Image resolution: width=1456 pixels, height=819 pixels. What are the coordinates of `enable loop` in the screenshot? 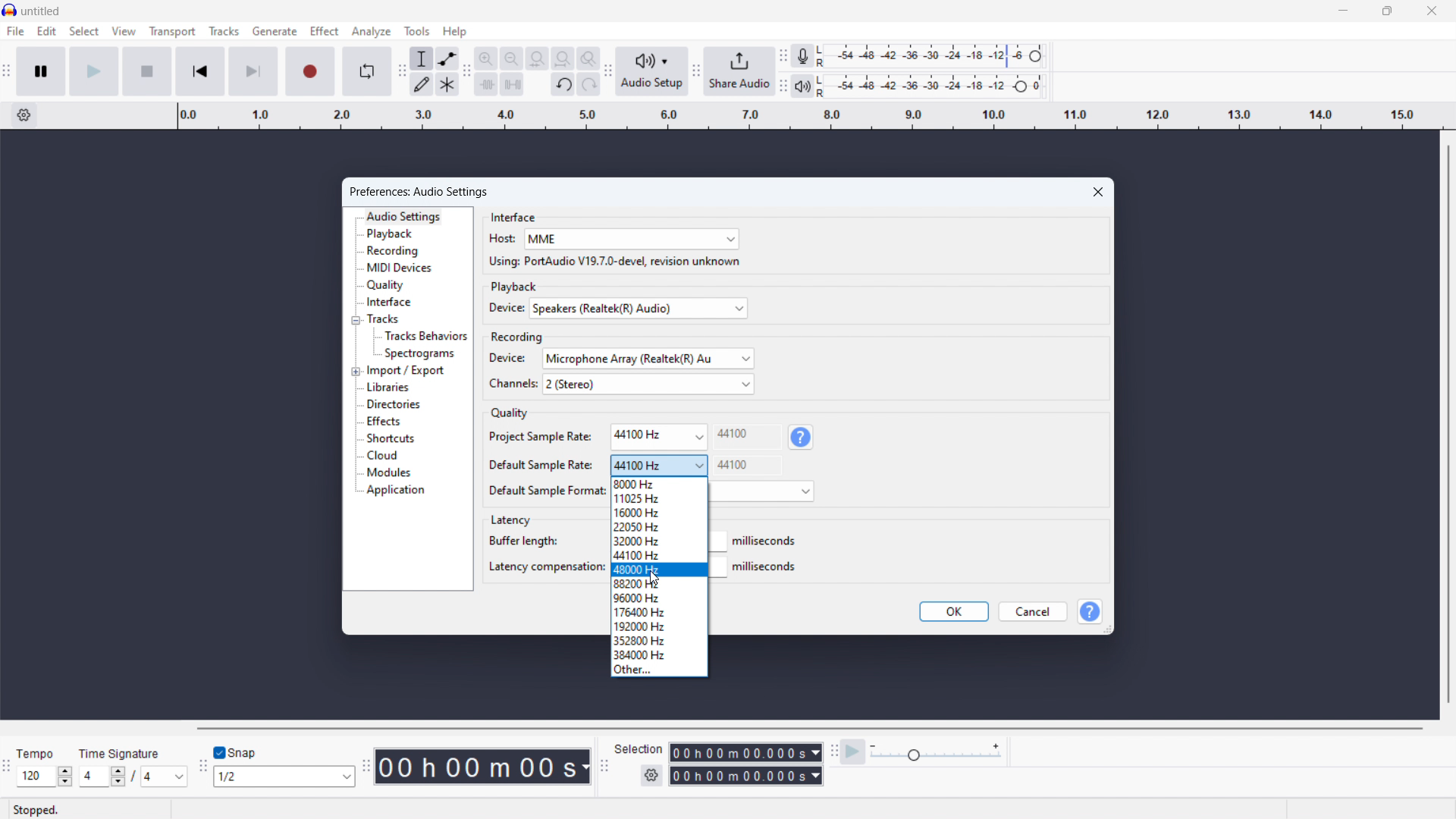 It's located at (368, 71).